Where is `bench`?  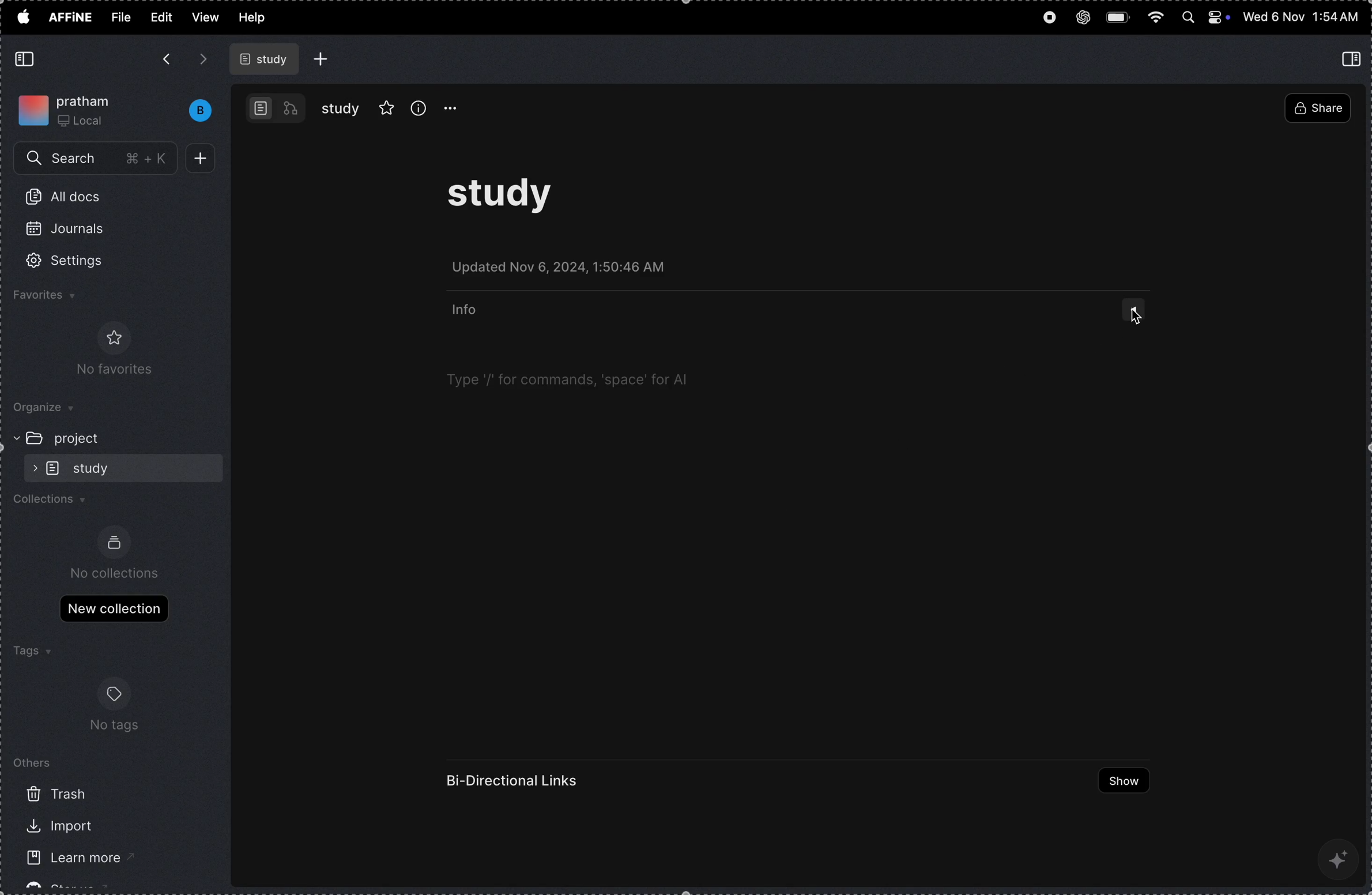
bench is located at coordinates (194, 111).